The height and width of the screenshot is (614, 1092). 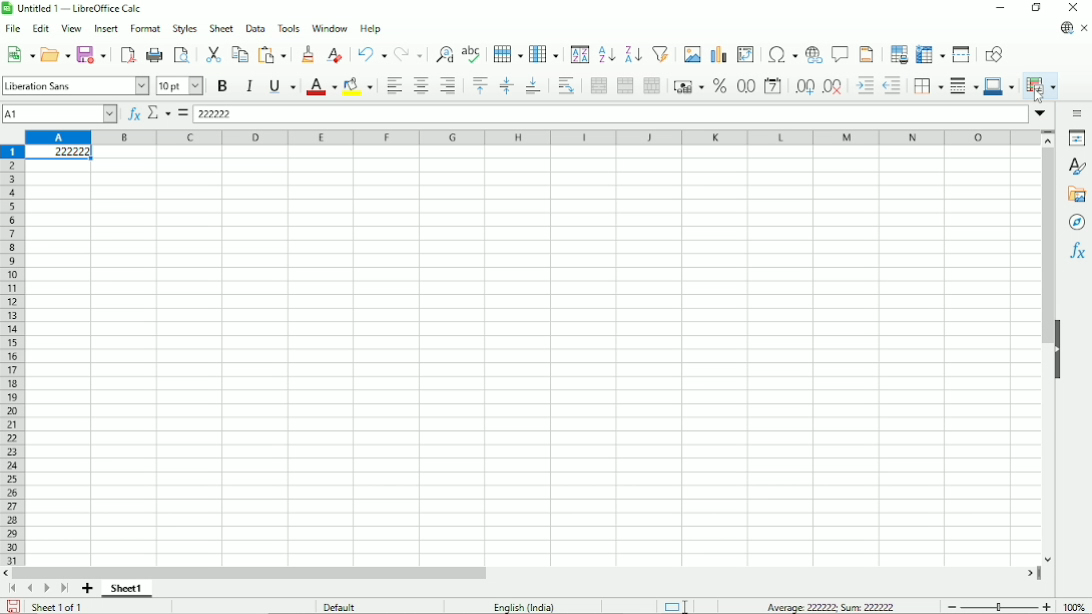 I want to click on Save, so click(x=94, y=53).